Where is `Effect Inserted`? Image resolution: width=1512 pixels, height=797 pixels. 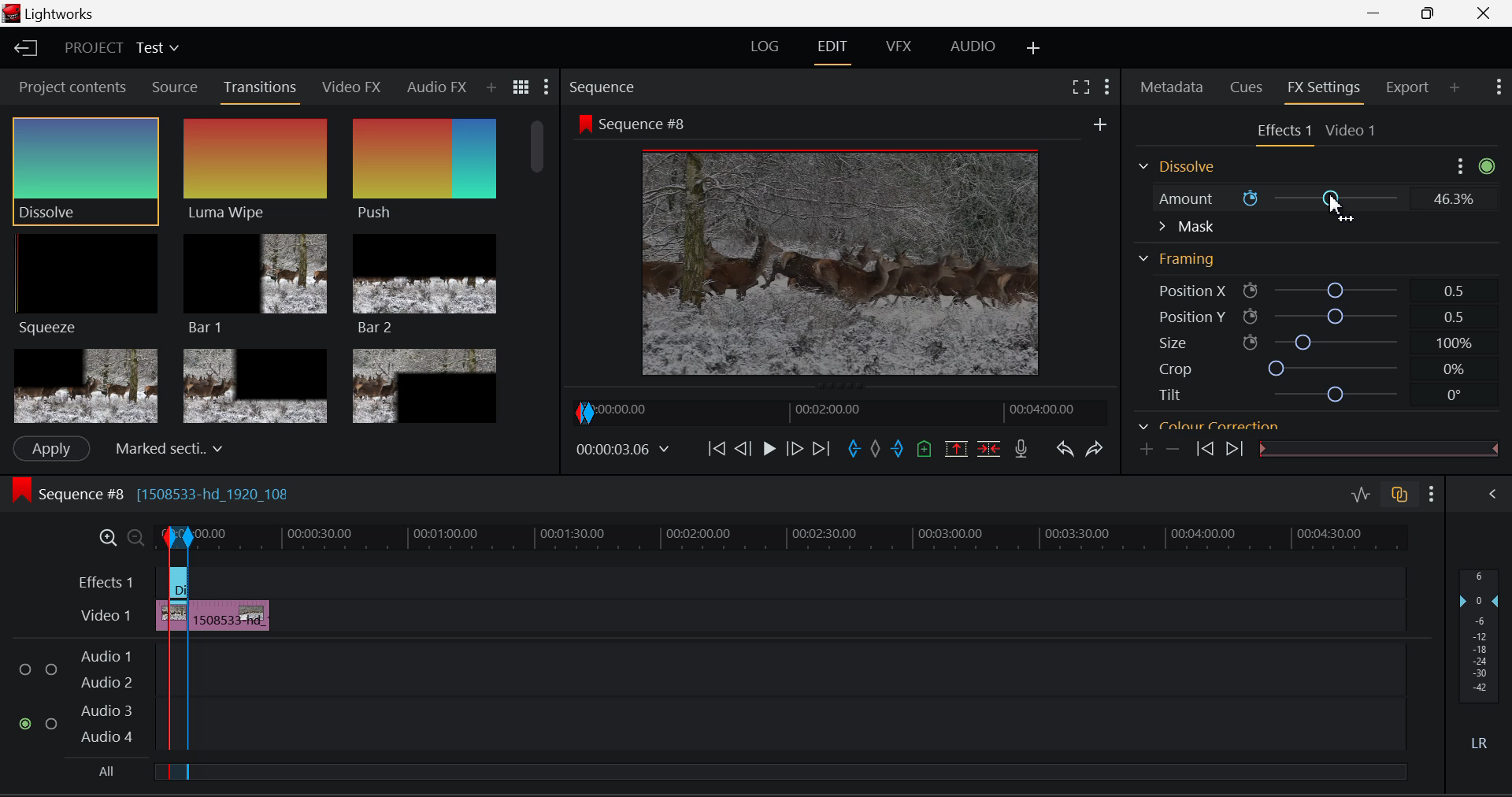 Effect Inserted is located at coordinates (178, 587).